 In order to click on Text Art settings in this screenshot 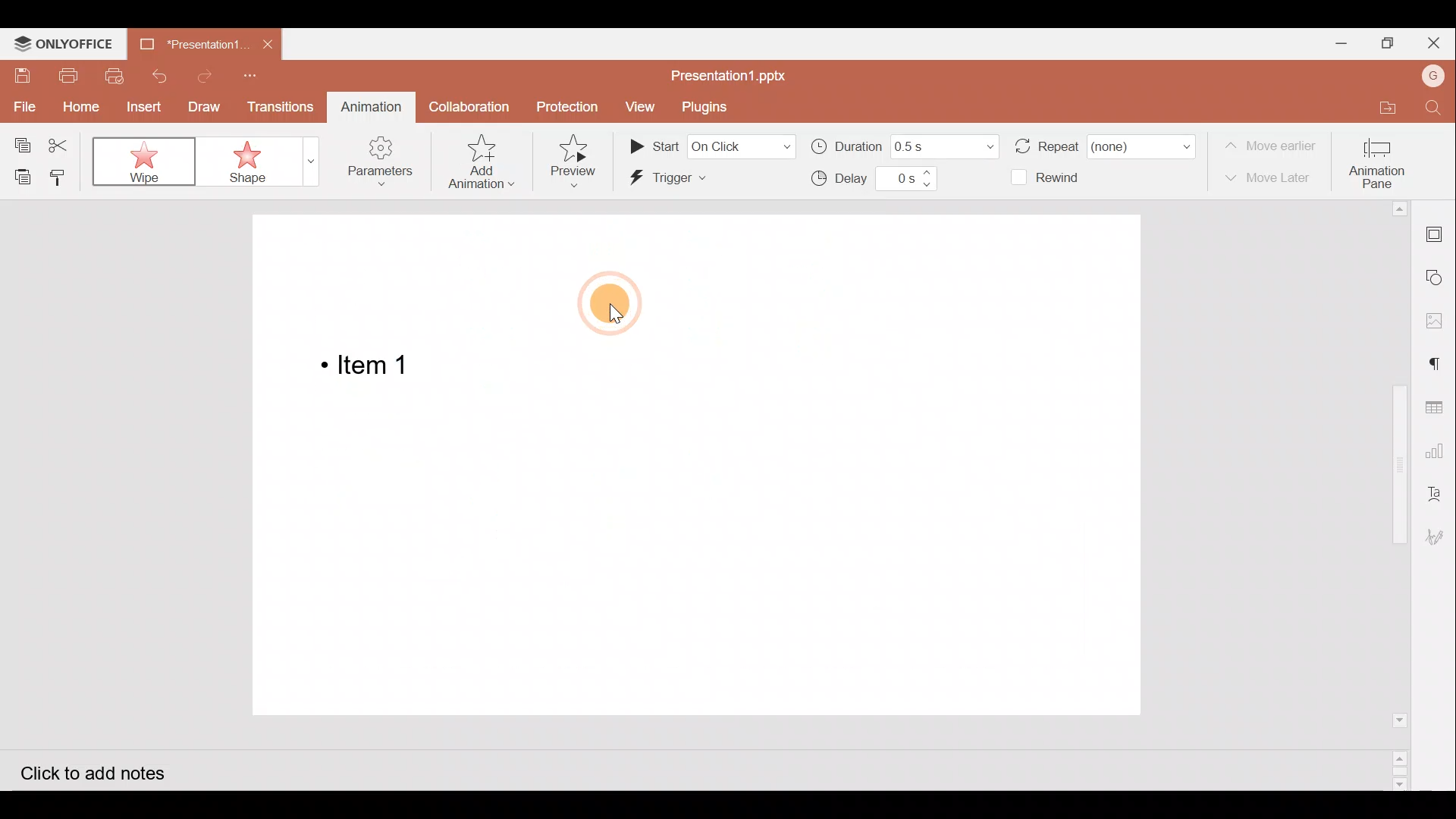, I will do `click(1441, 490)`.